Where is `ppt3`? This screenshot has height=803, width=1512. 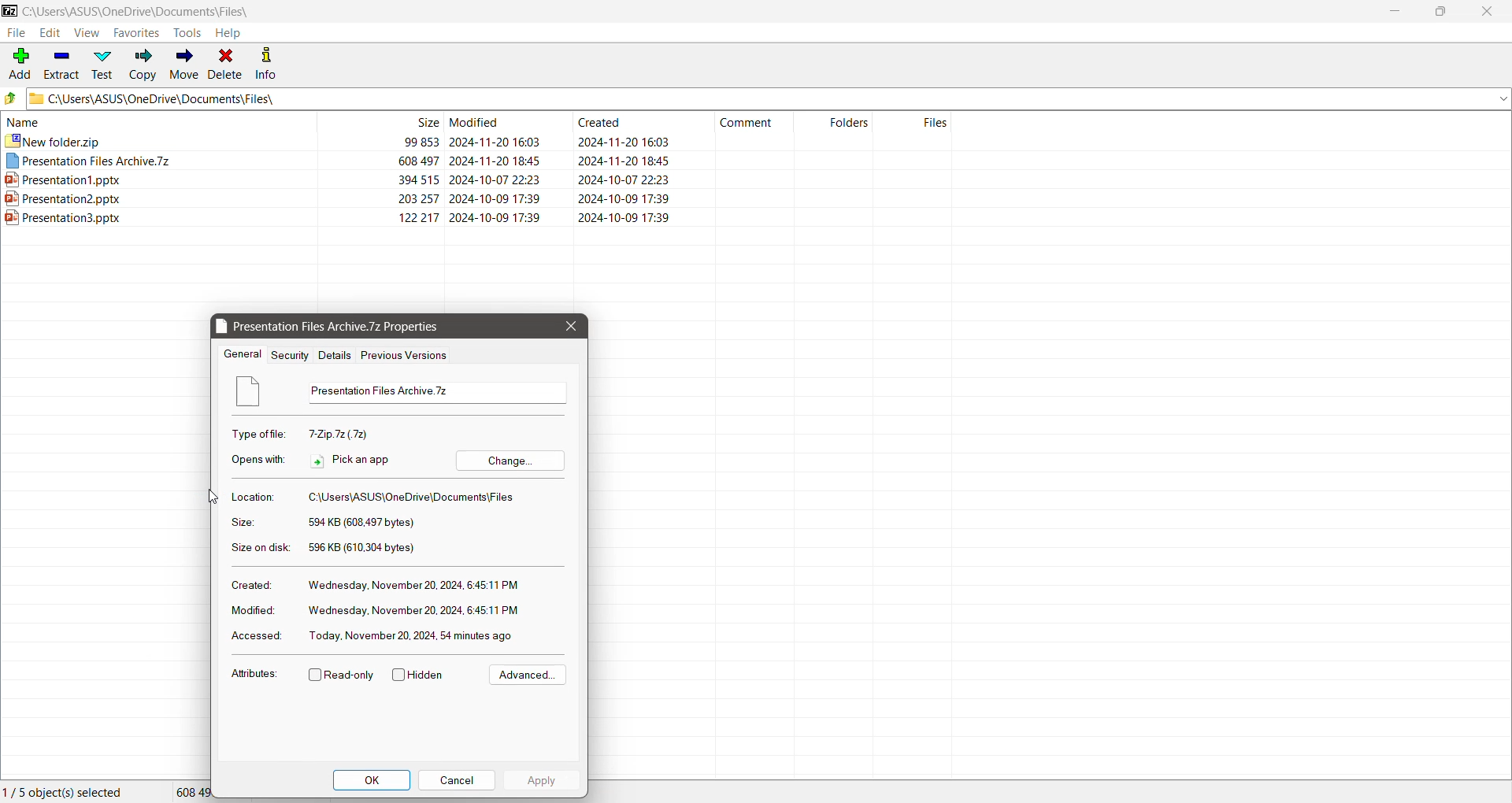
ppt3 is located at coordinates (478, 220).